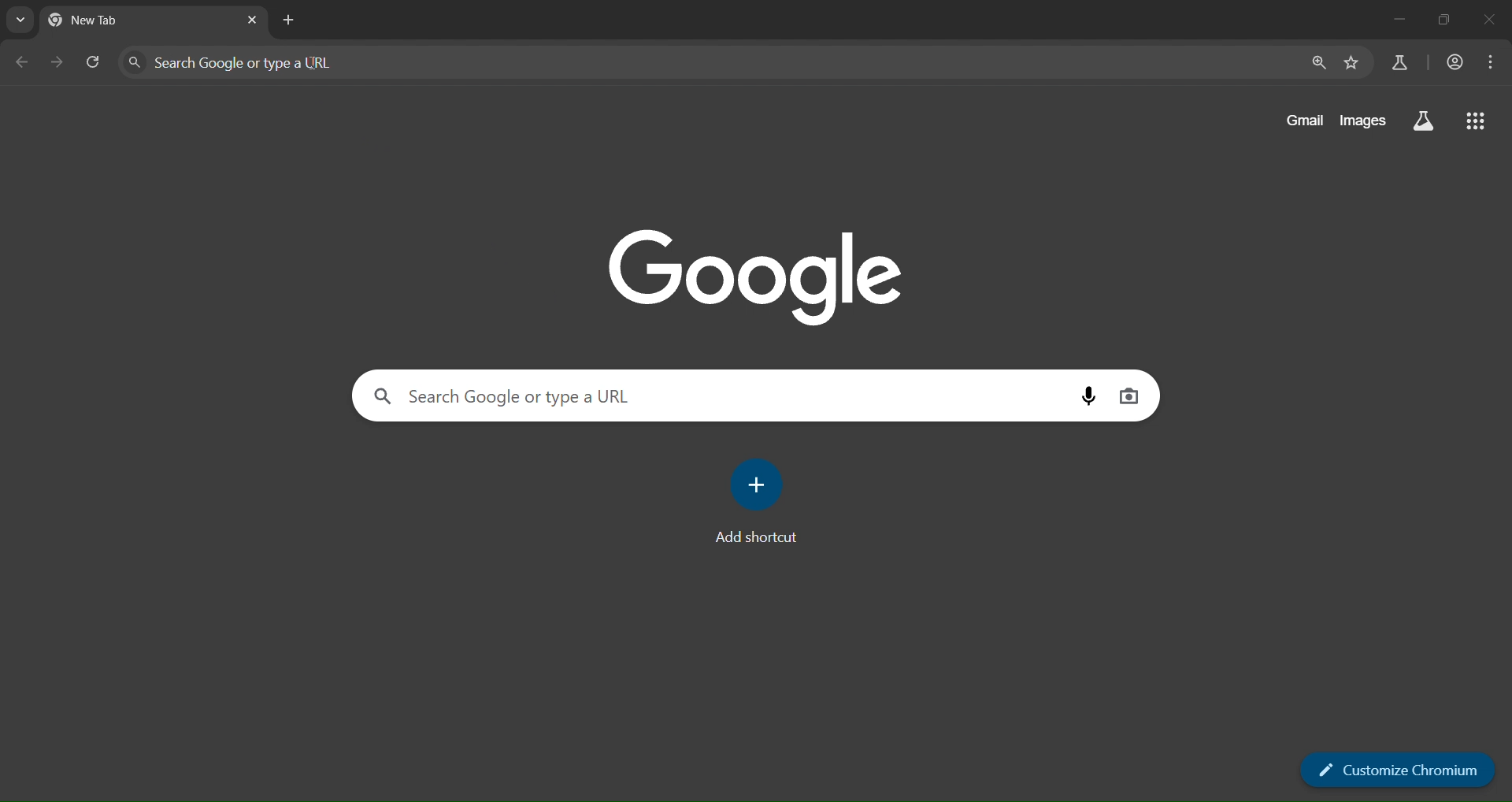 This screenshot has width=1512, height=802. Describe the element at coordinates (1492, 64) in the screenshot. I see `menu` at that location.